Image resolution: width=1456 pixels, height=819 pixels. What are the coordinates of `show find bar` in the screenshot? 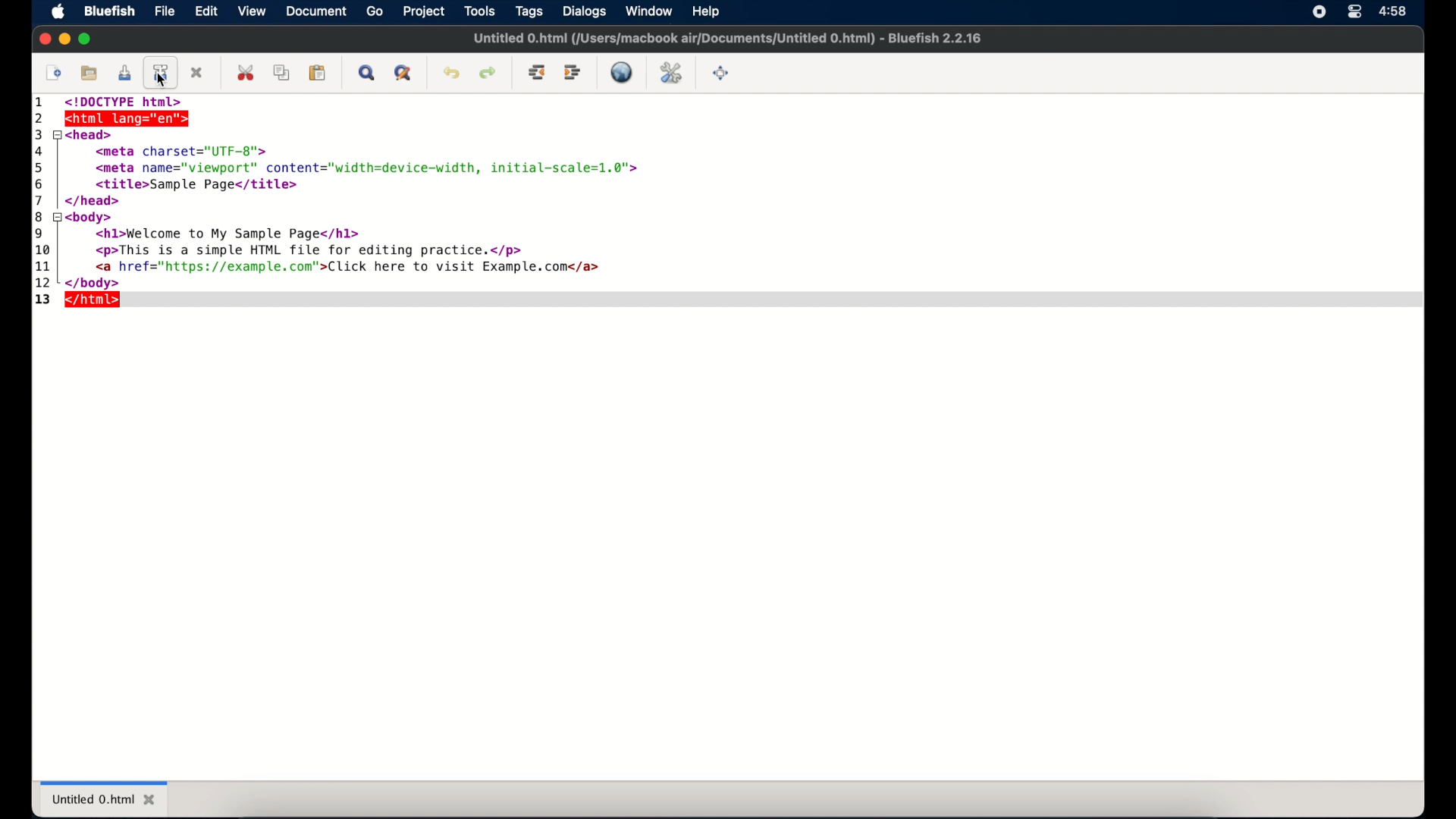 It's located at (368, 73).